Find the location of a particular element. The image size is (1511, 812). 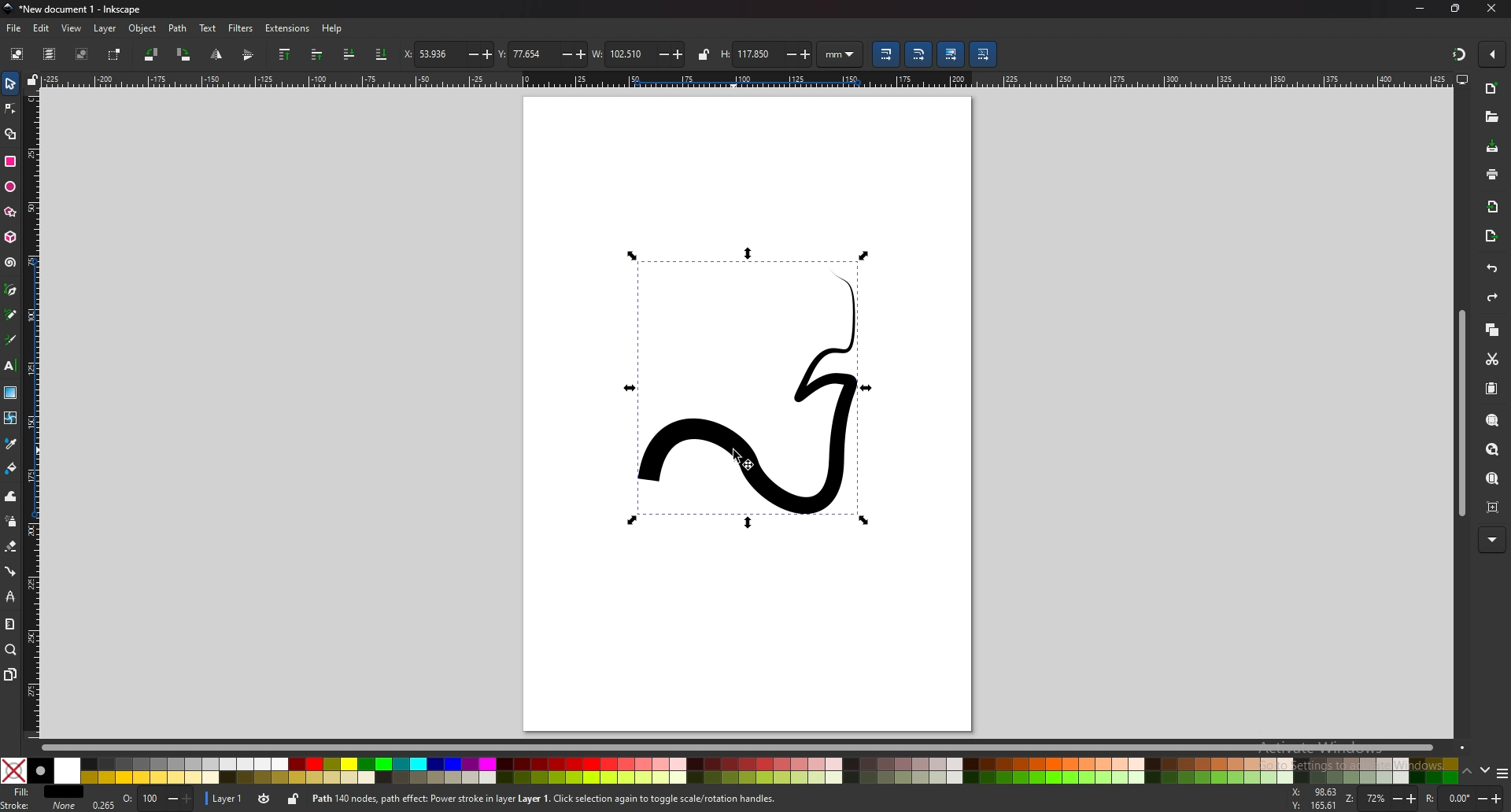

lock is located at coordinates (293, 799).